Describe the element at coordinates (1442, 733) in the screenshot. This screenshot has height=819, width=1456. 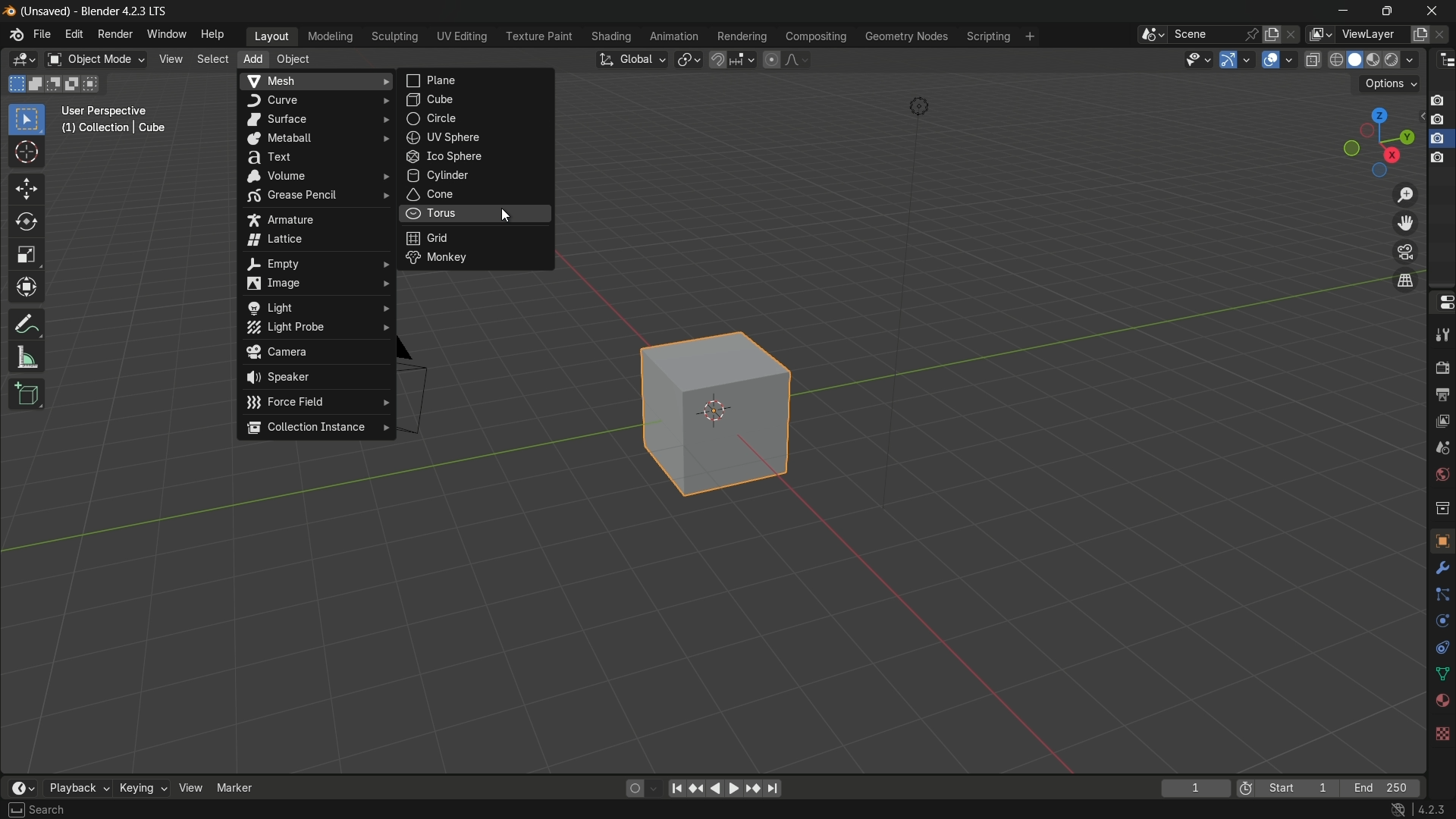
I see `texture` at that location.